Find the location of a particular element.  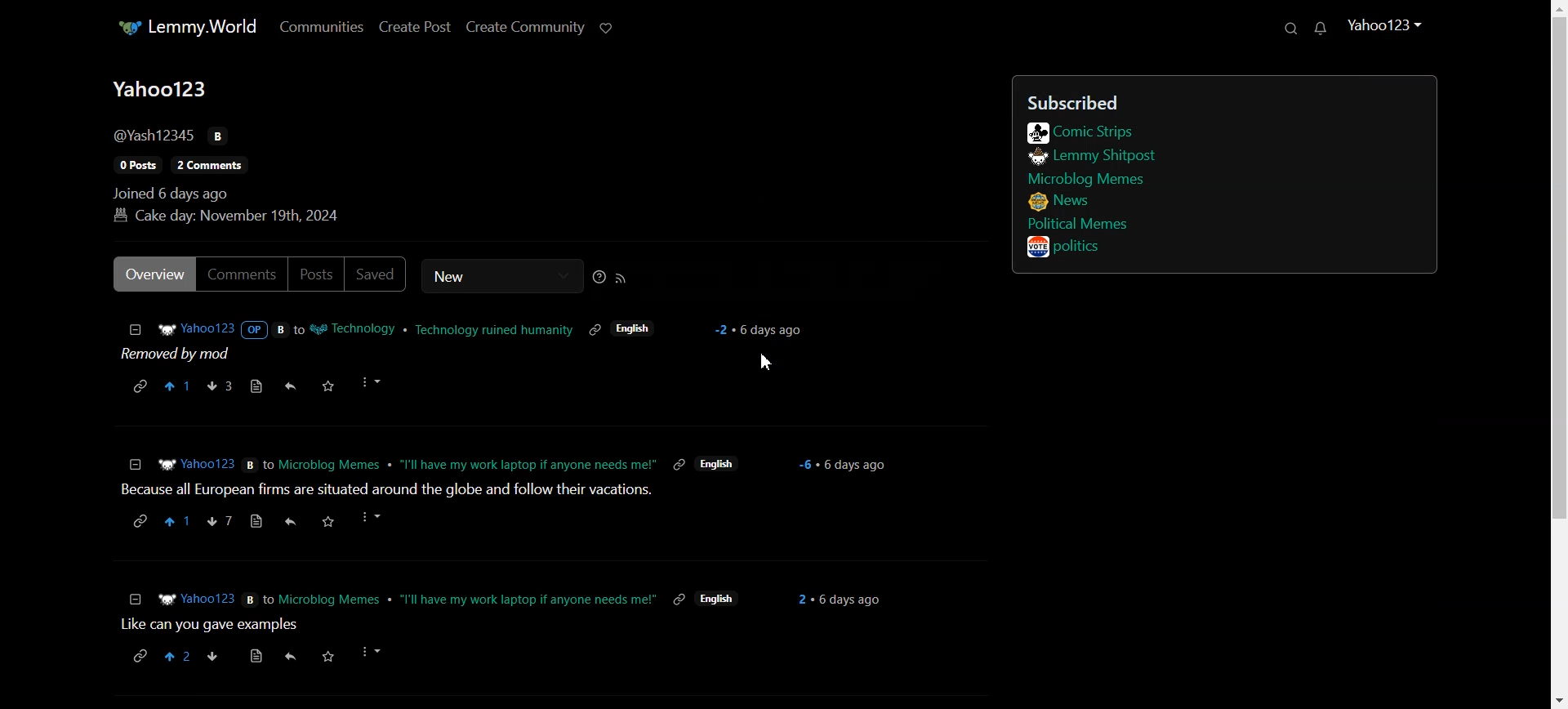

like can you gave examples is located at coordinates (213, 625).